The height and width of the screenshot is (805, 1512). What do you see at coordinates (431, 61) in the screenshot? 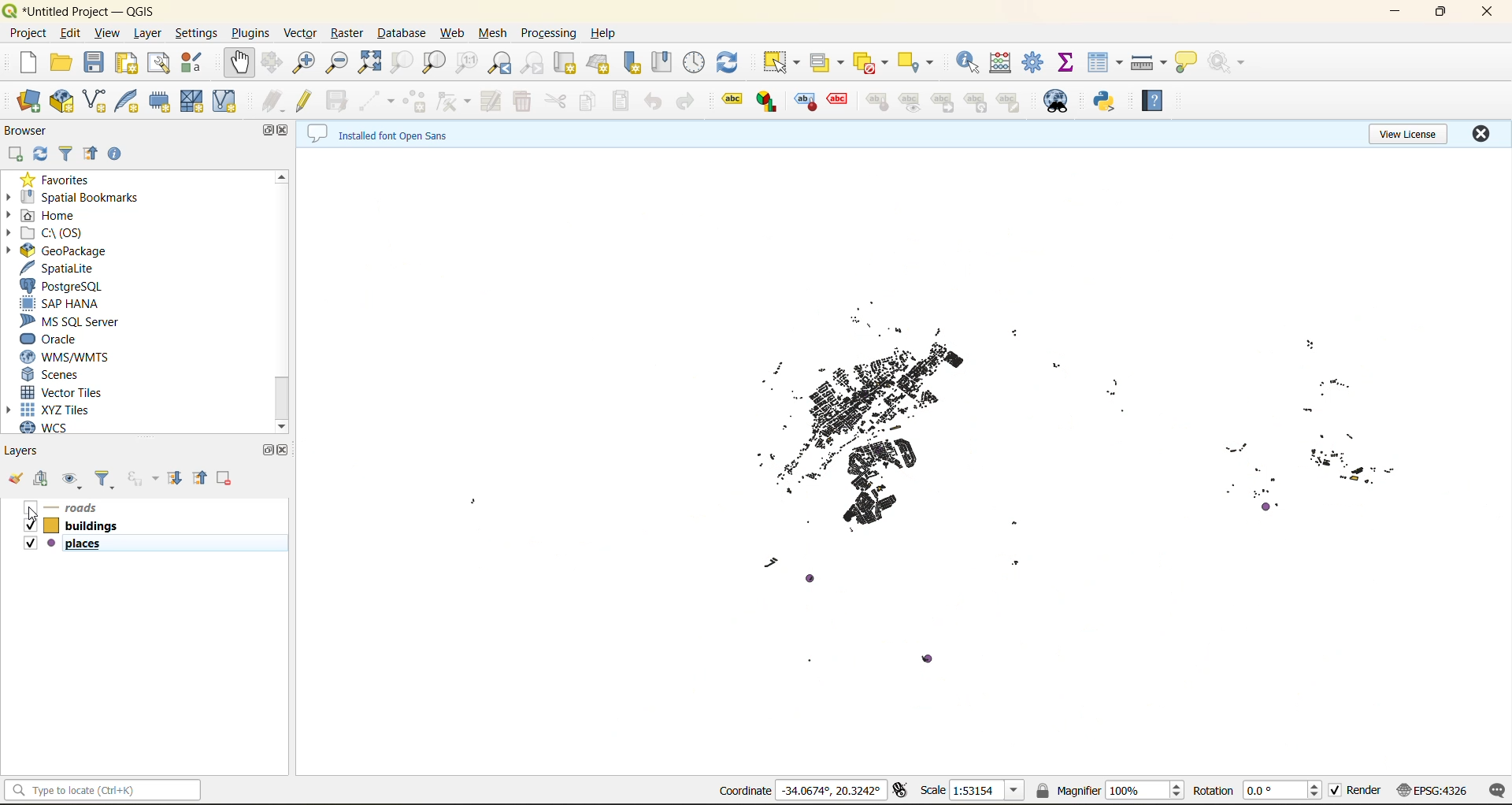
I see `zoom layer` at bounding box center [431, 61].